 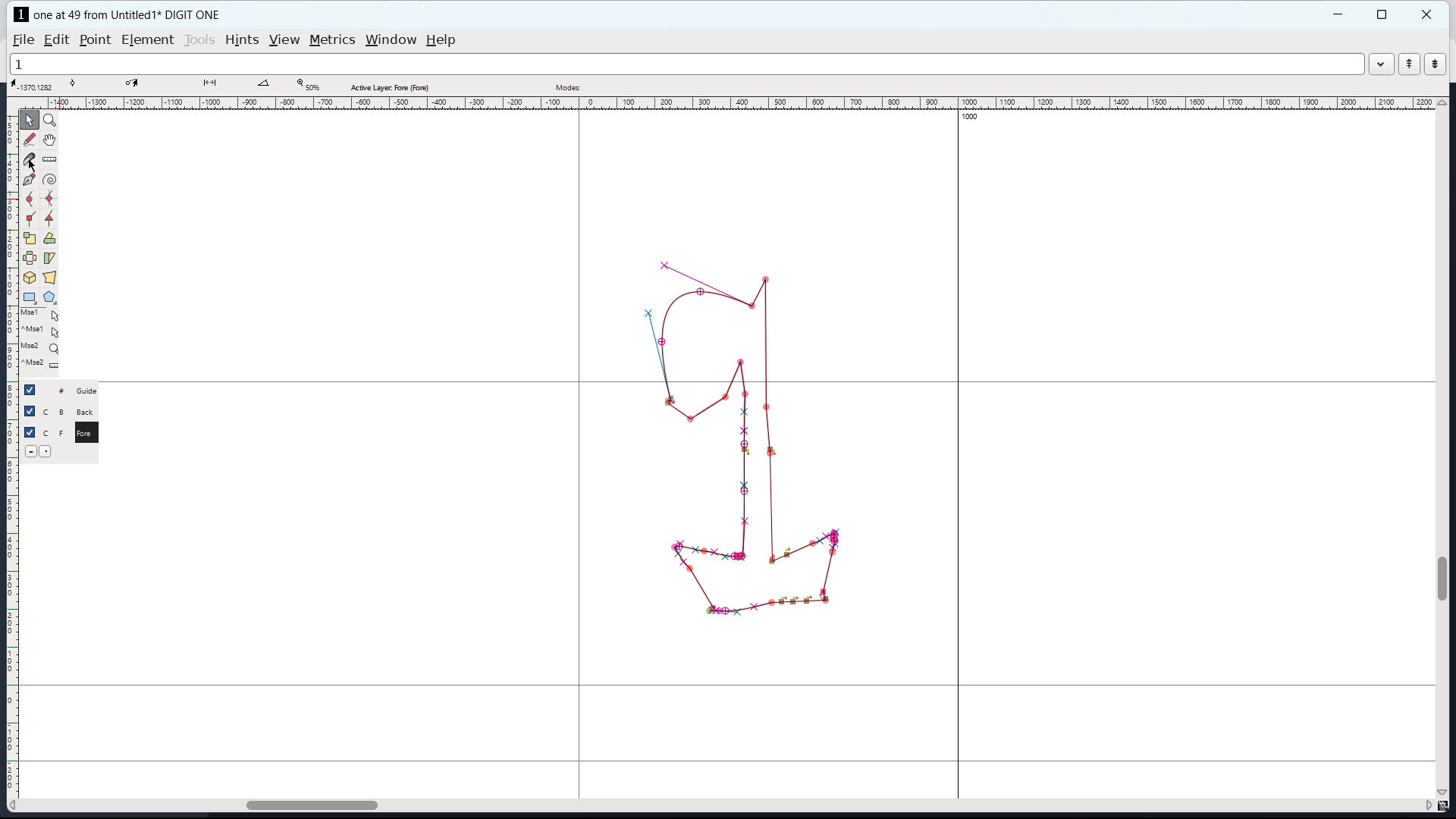 What do you see at coordinates (680, 85) in the screenshot?
I see `active layer: Fore (Fore)` at bounding box center [680, 85].